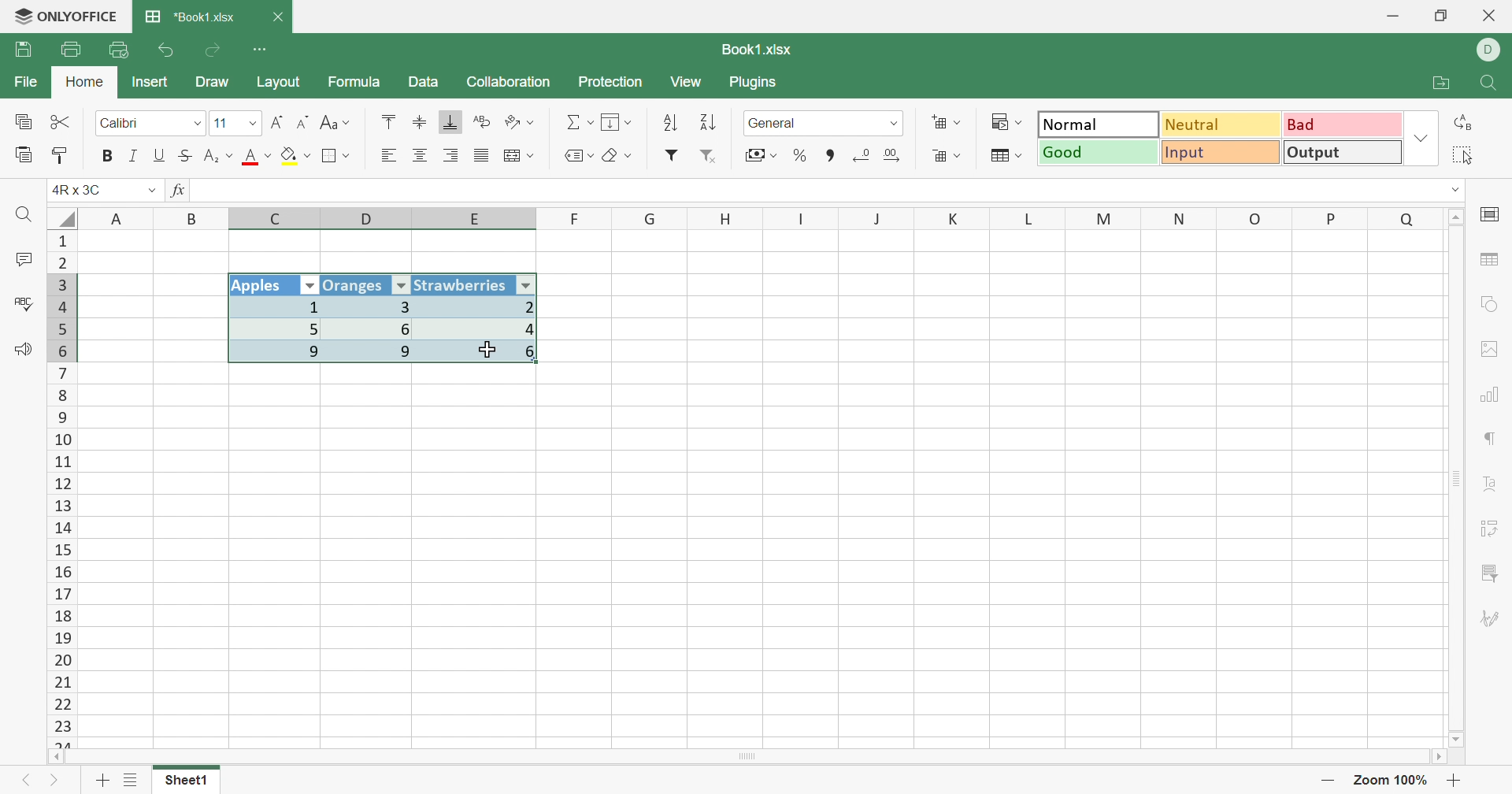  I want to click on Align Top, so click(386, 121).